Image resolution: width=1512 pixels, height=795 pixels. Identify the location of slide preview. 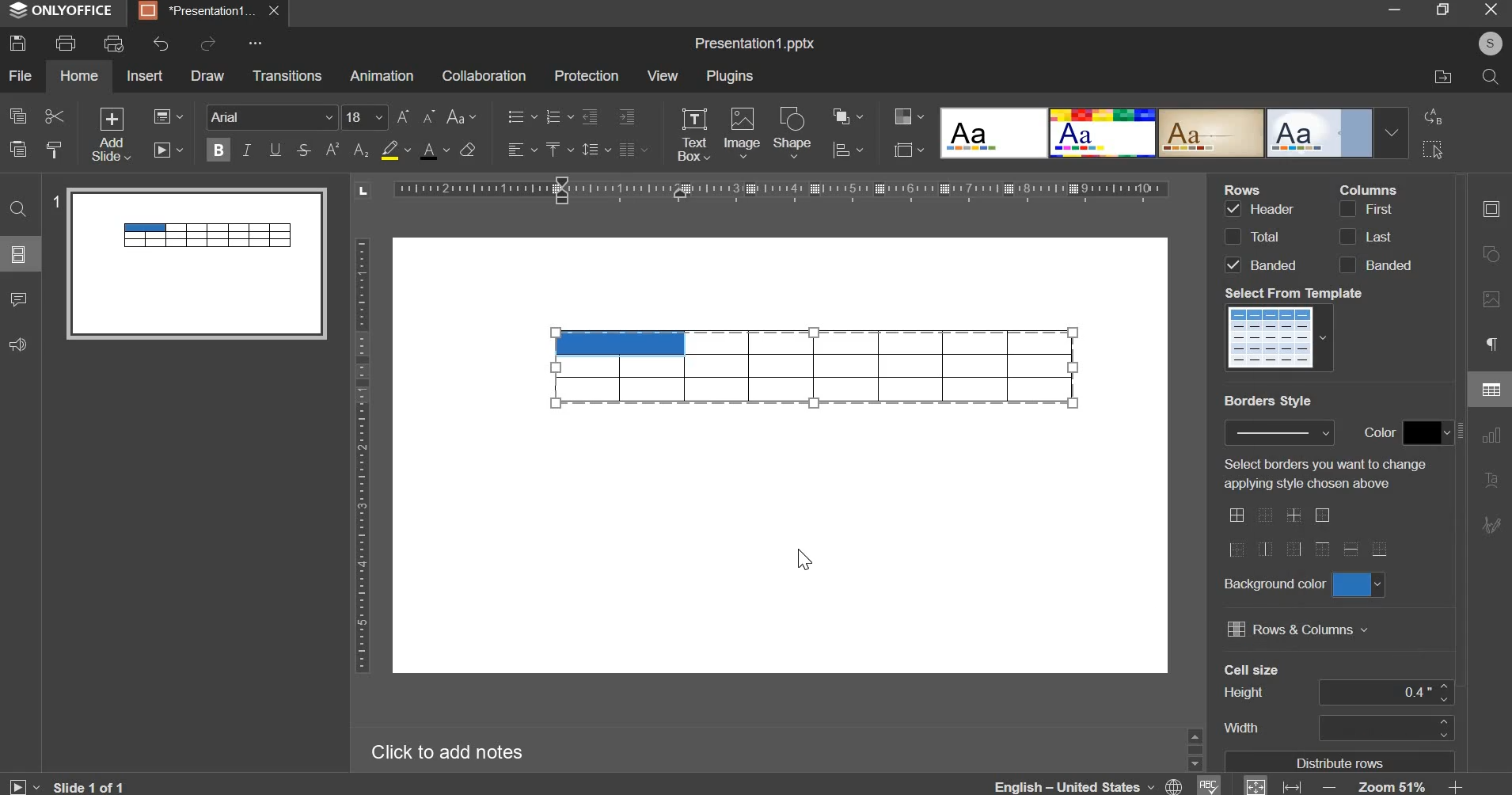
(196, 262).